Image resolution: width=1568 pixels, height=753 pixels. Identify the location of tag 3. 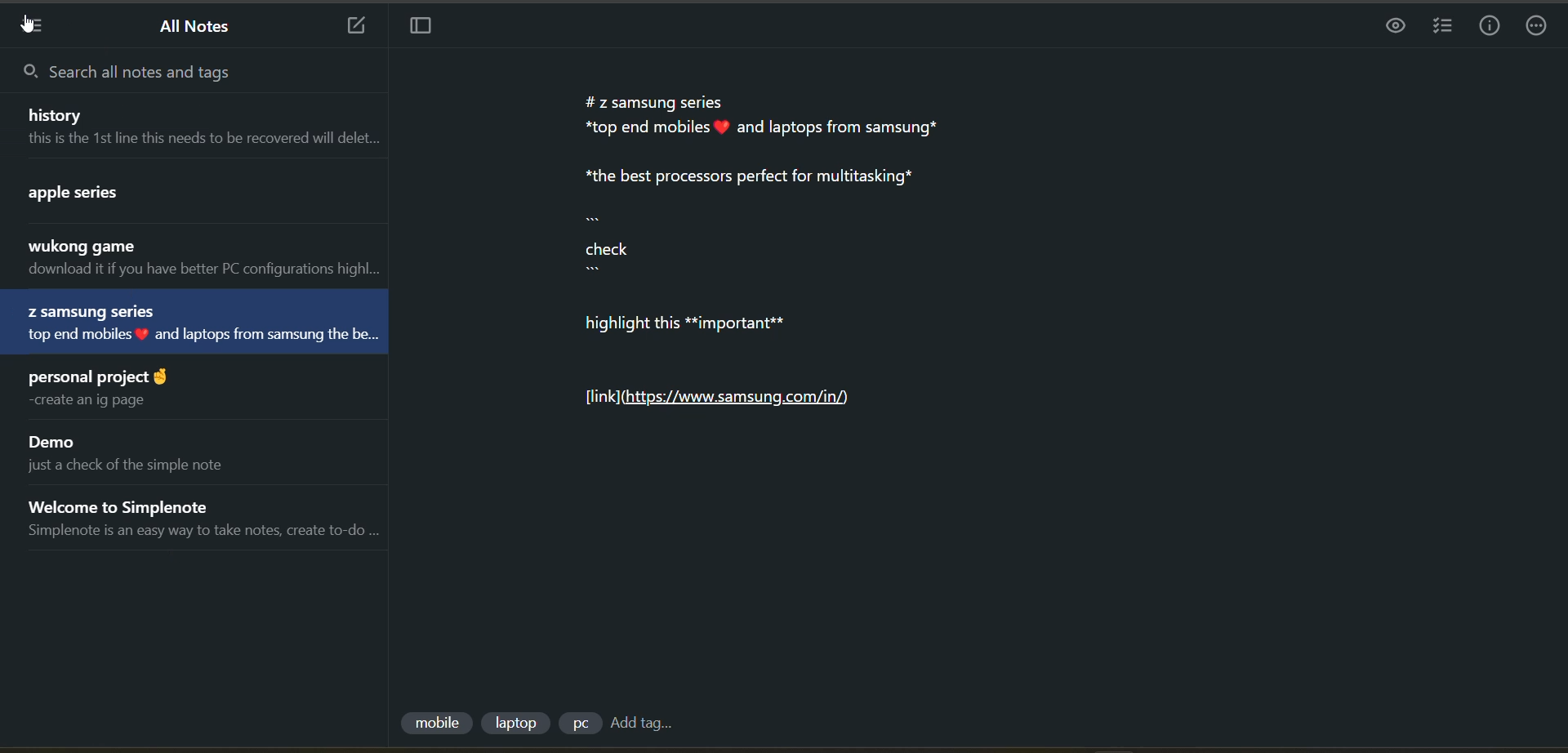
(577, 726).